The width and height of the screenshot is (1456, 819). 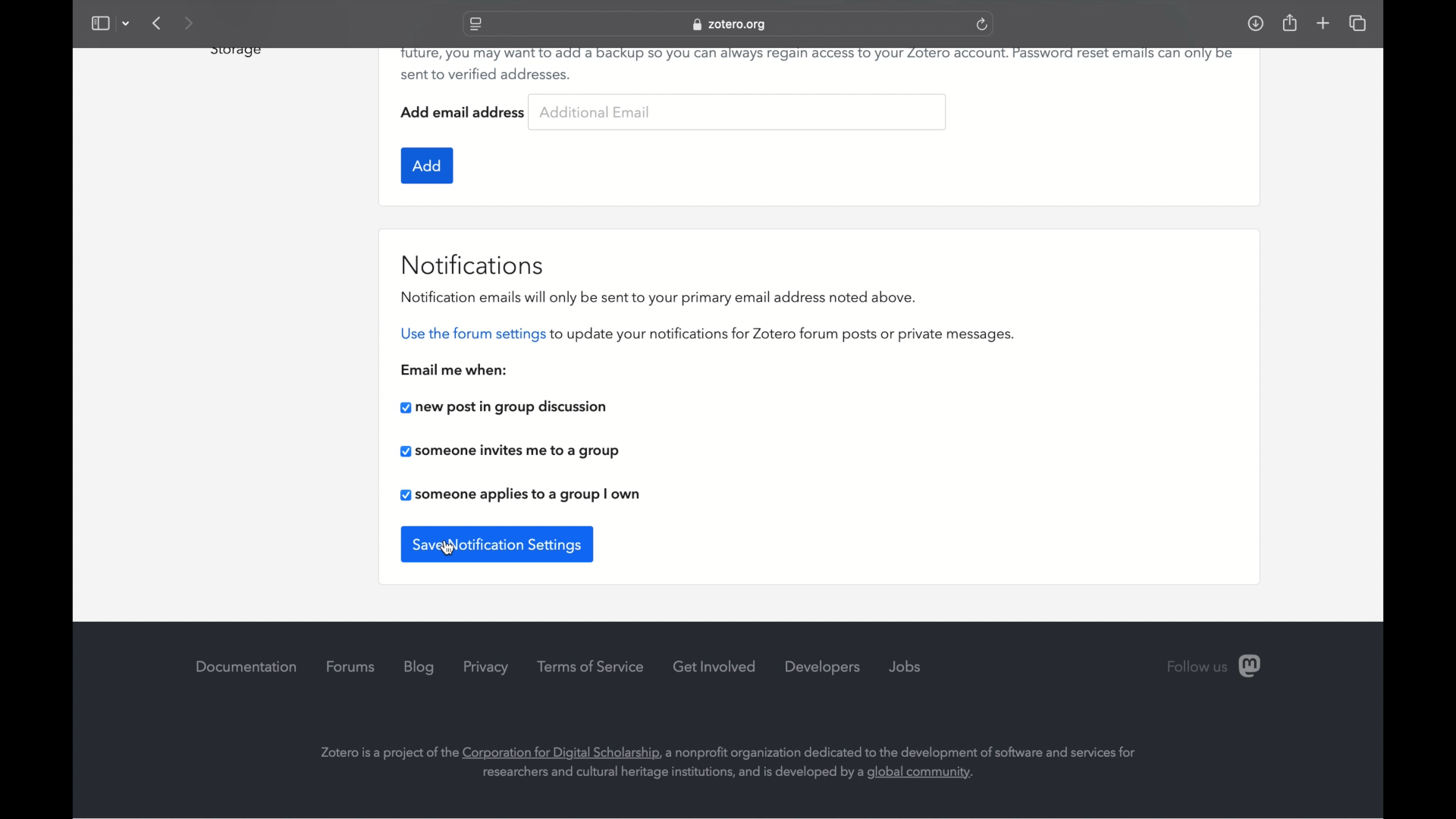 I want to click on downloads, so click(x=1255, y=23).